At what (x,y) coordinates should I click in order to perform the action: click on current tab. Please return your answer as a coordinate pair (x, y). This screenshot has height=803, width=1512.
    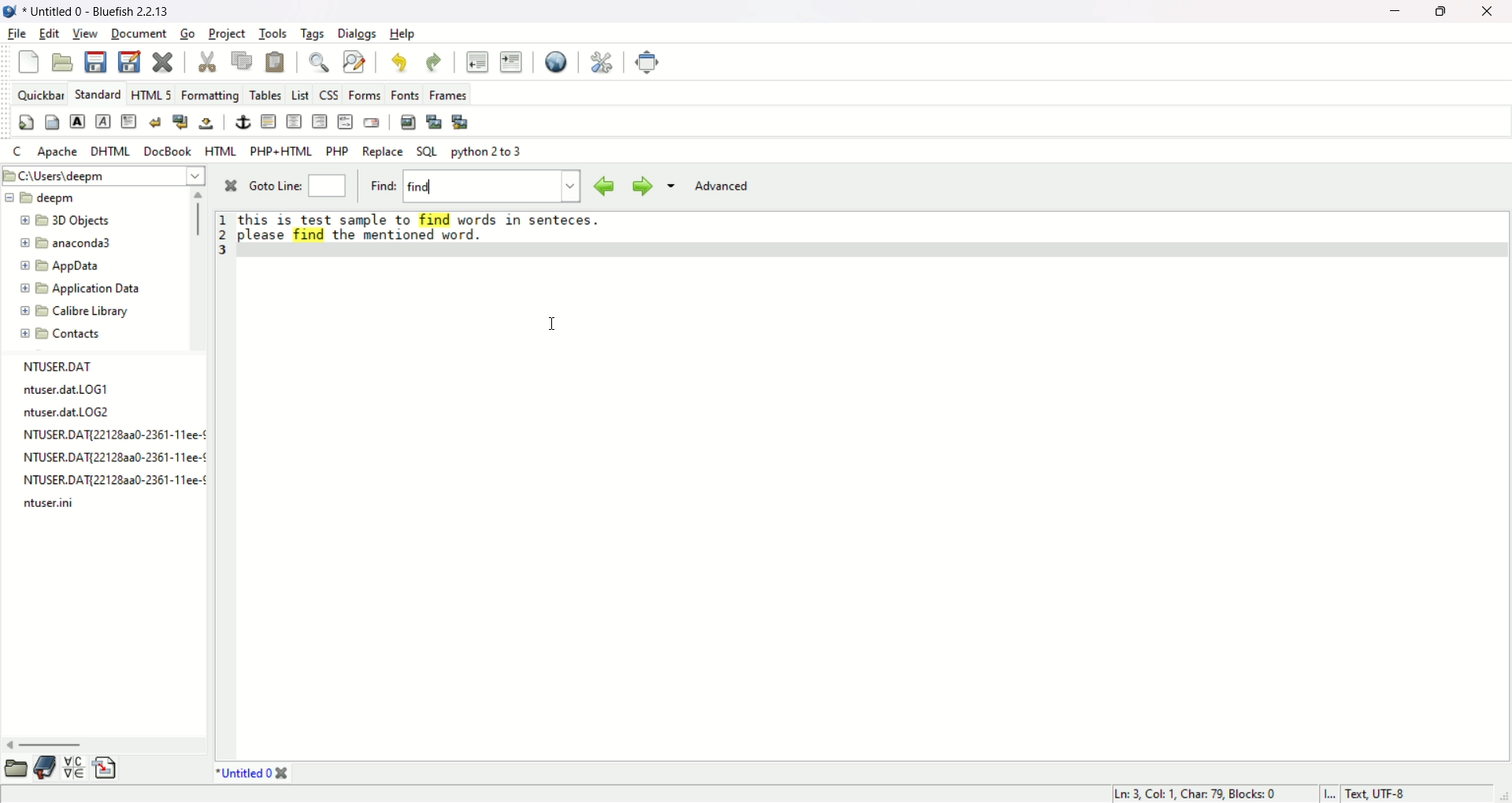
    Looking at the image, I should click on (240, 775).